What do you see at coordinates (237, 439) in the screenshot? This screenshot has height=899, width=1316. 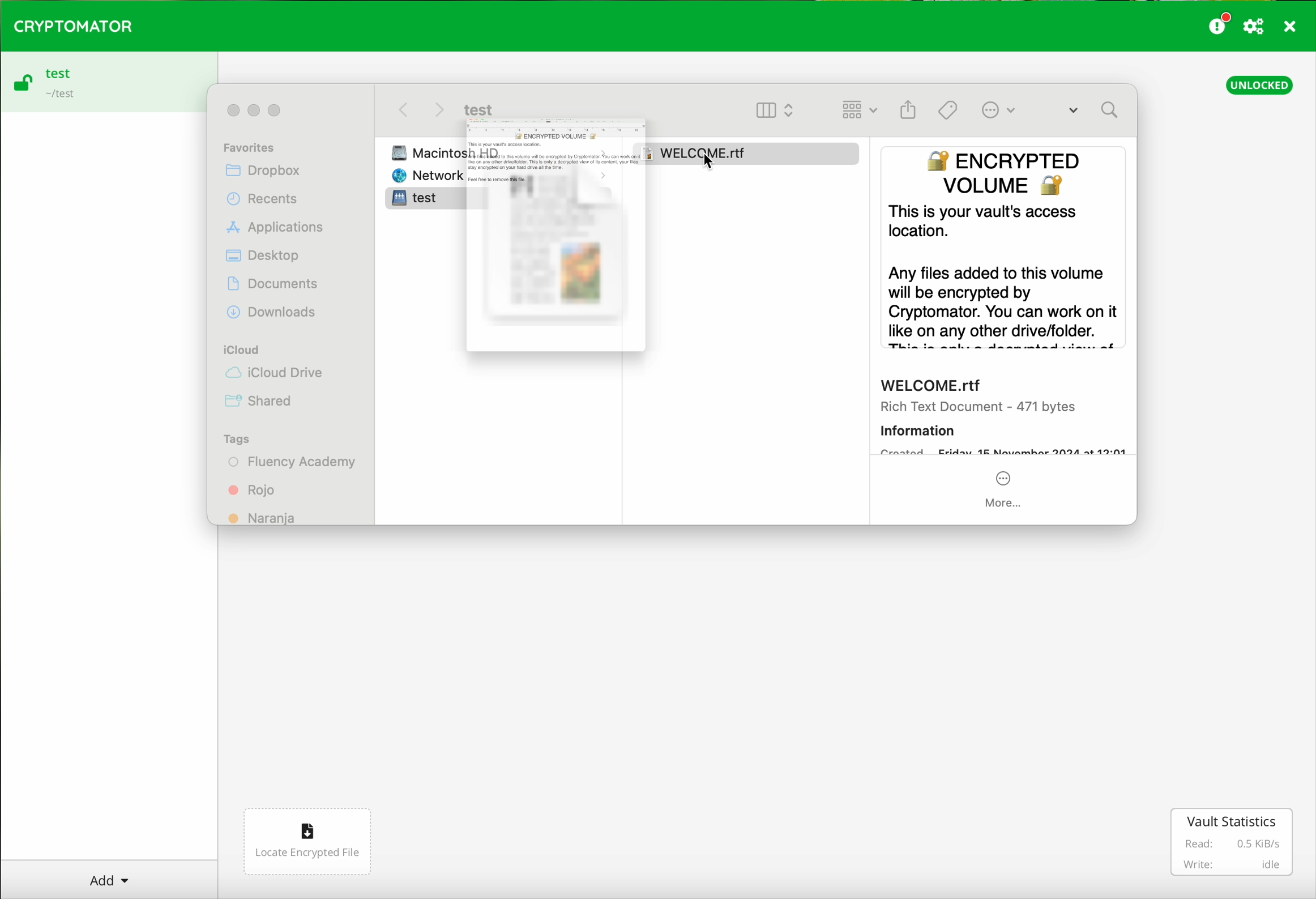 I see `Tags` at bounding box center [237, 439].